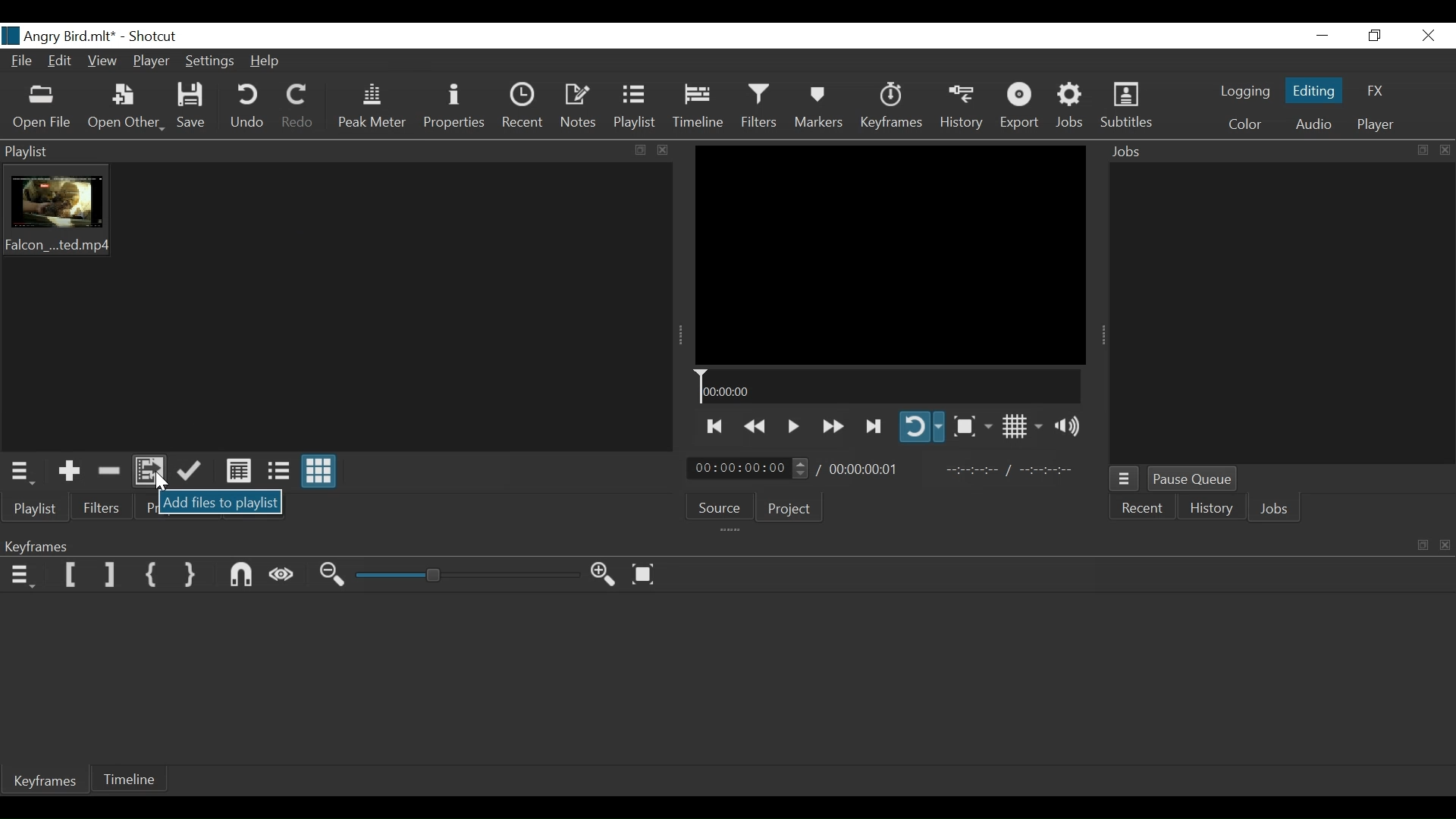 The width and height of the screenshot is (1456, 819). Describe the element at coordinates (148, 472) in the screenshot. I see `Add files to Playlist` at that location.